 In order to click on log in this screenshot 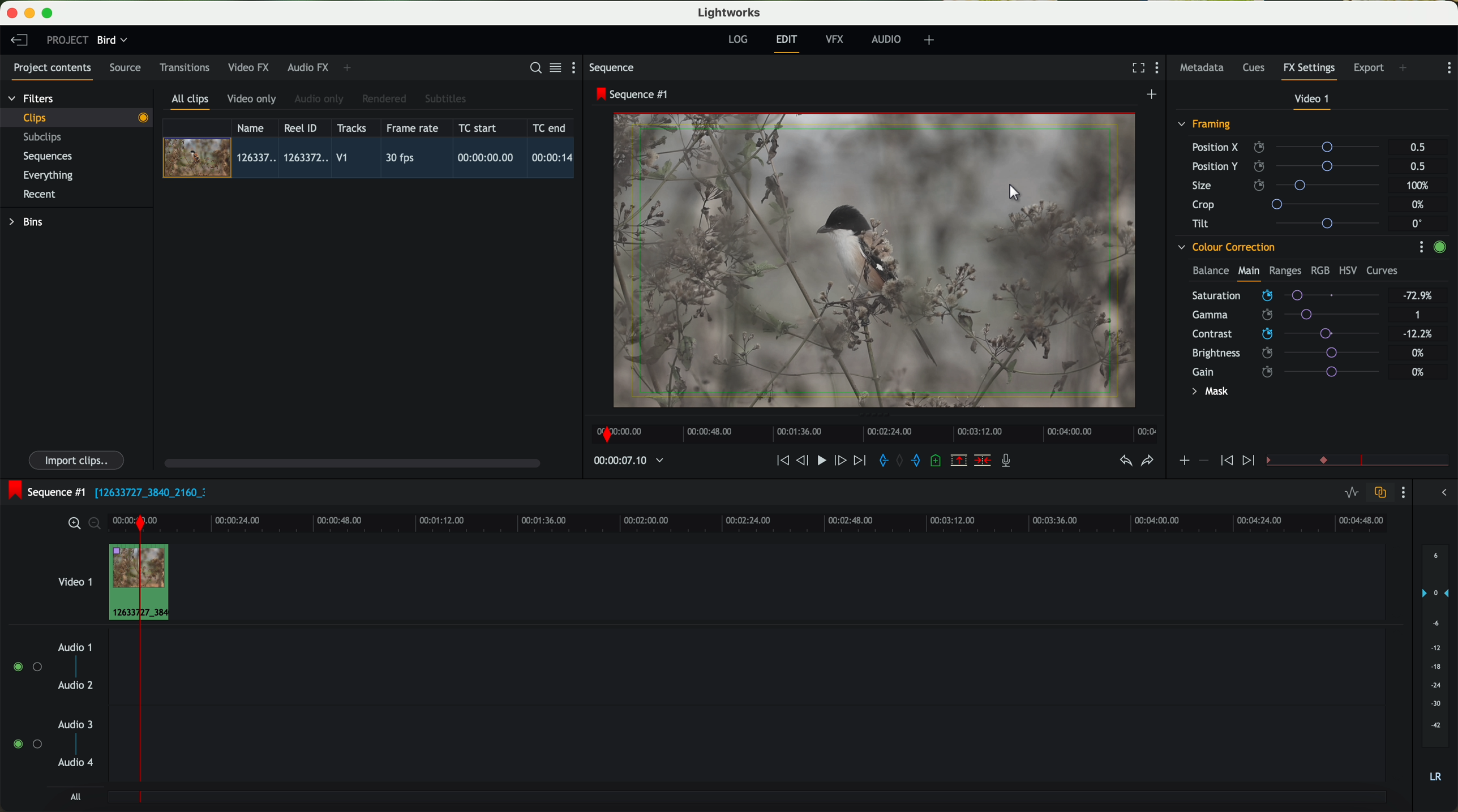, I will do `click(737, 40)`.